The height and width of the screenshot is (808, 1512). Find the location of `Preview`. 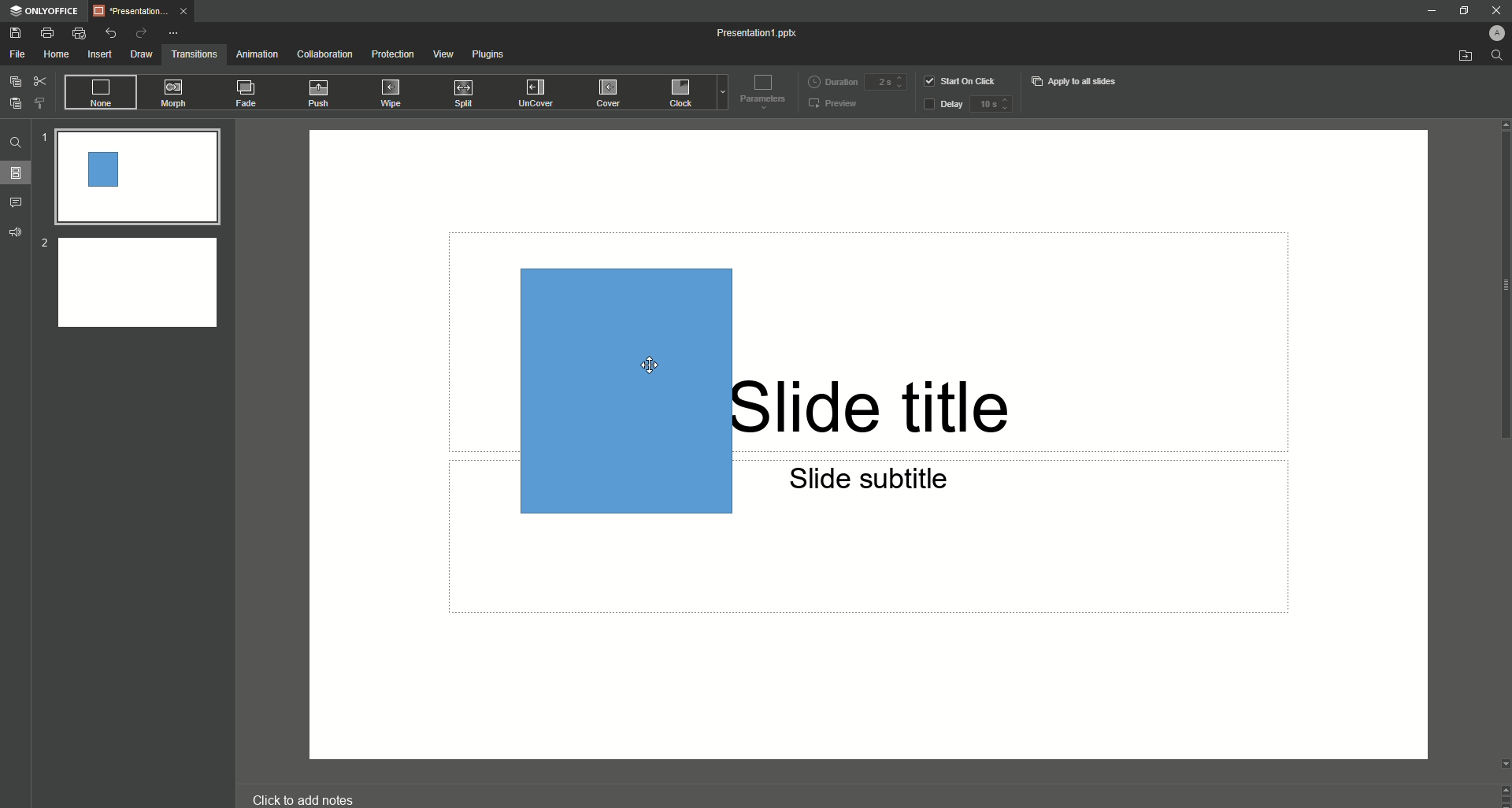

Preview is located at coordinates (832, 106).